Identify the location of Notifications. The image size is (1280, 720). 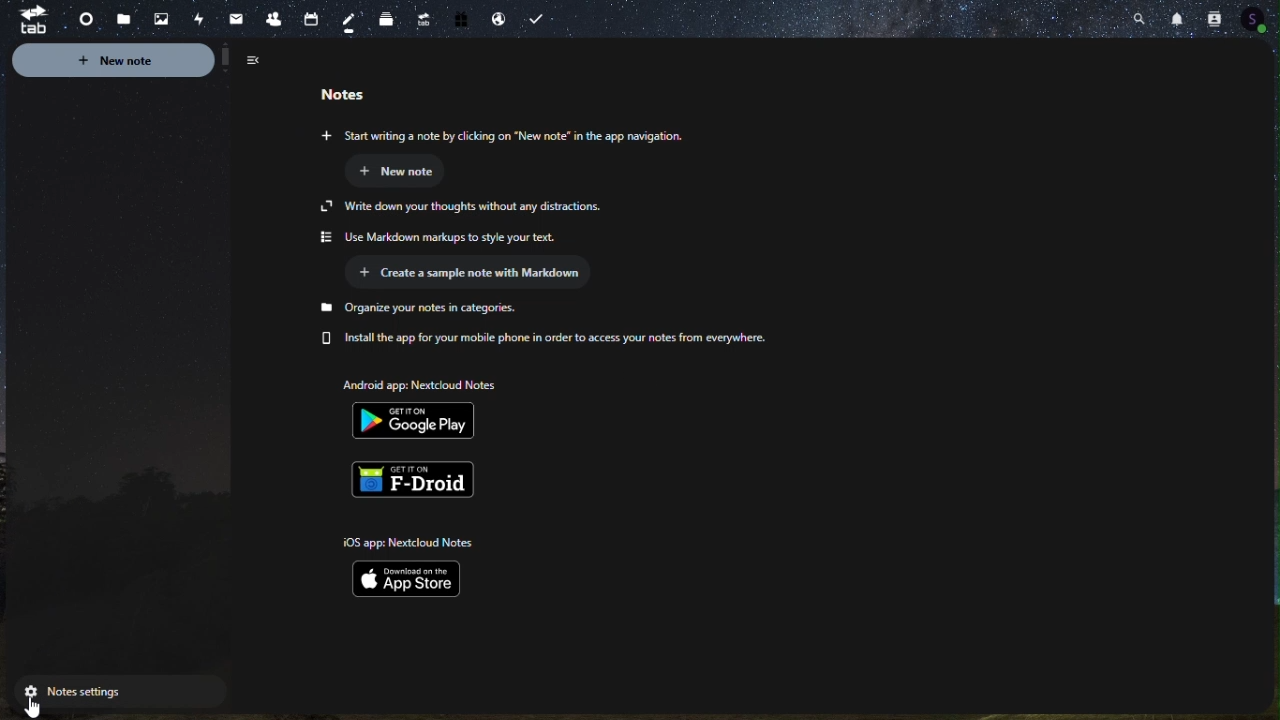
(1177, 16).